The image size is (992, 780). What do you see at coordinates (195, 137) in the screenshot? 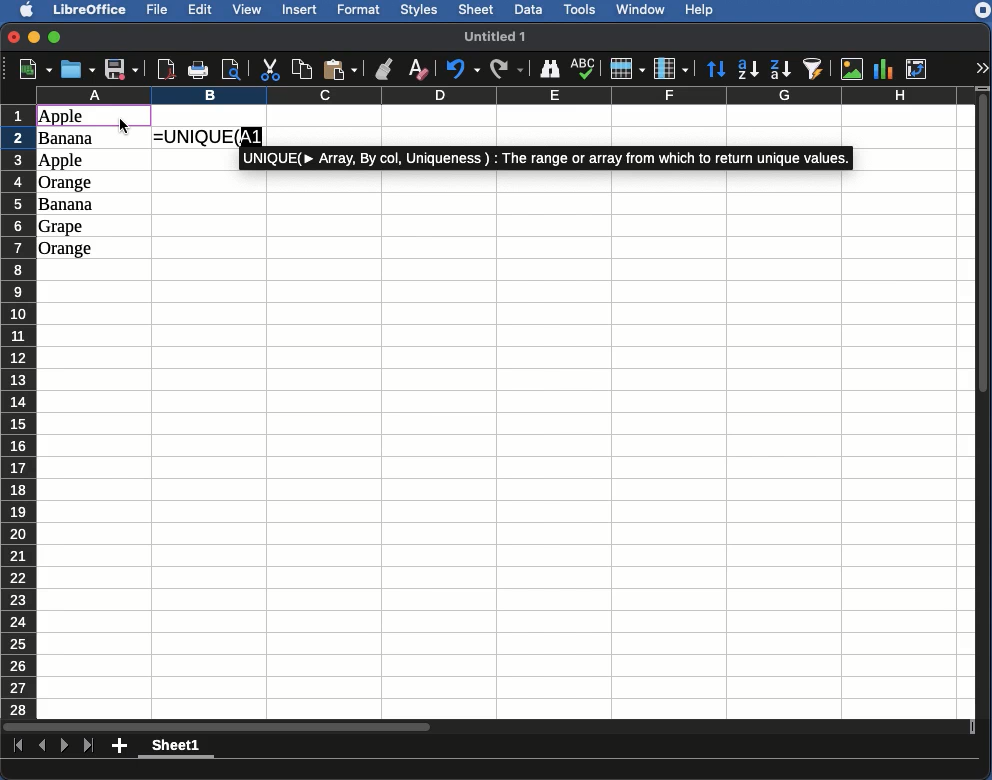
I see `=UNIQUE(` at bounding box center [195, 137].